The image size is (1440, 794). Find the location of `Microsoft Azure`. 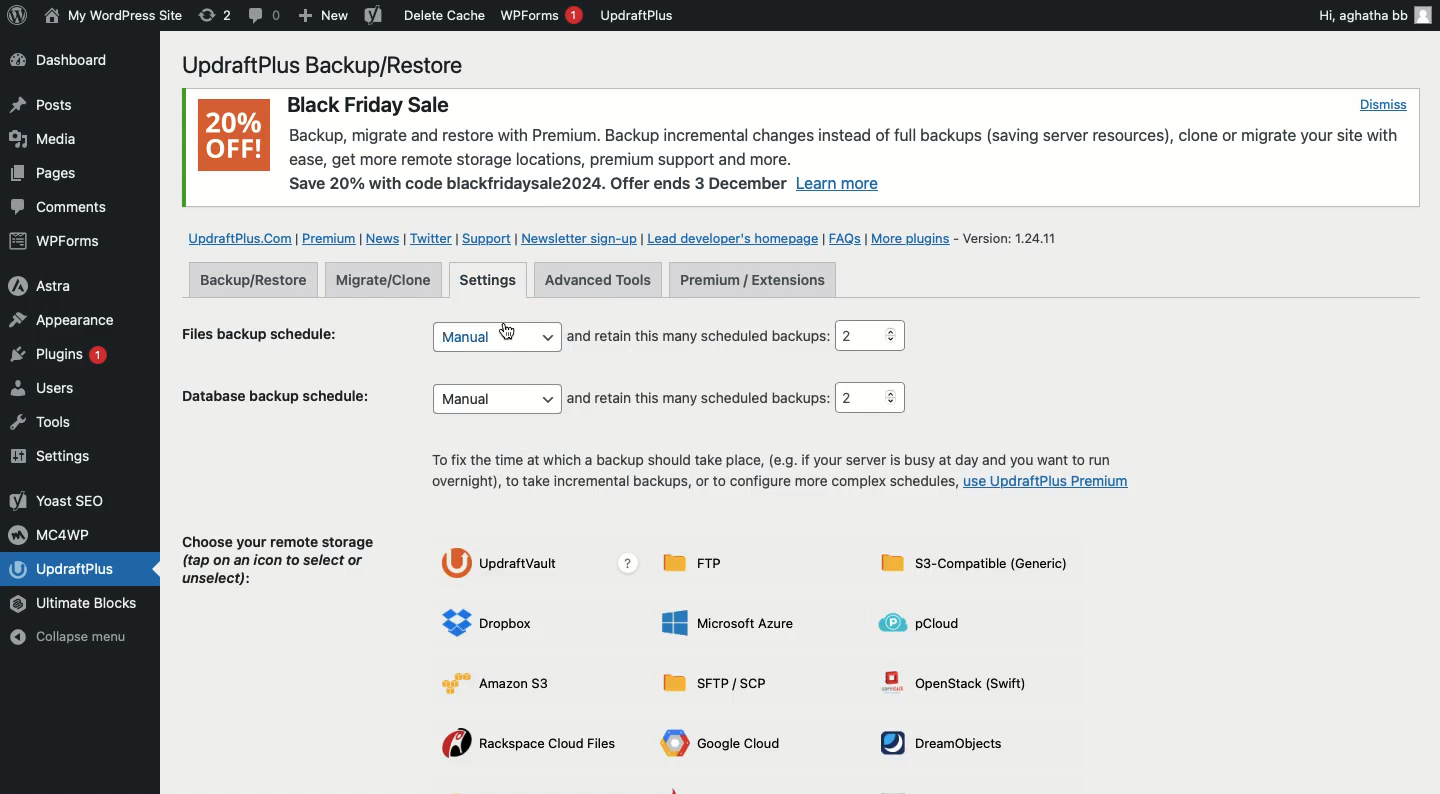

Microsoft Azure is located at coordinates (731, 622).